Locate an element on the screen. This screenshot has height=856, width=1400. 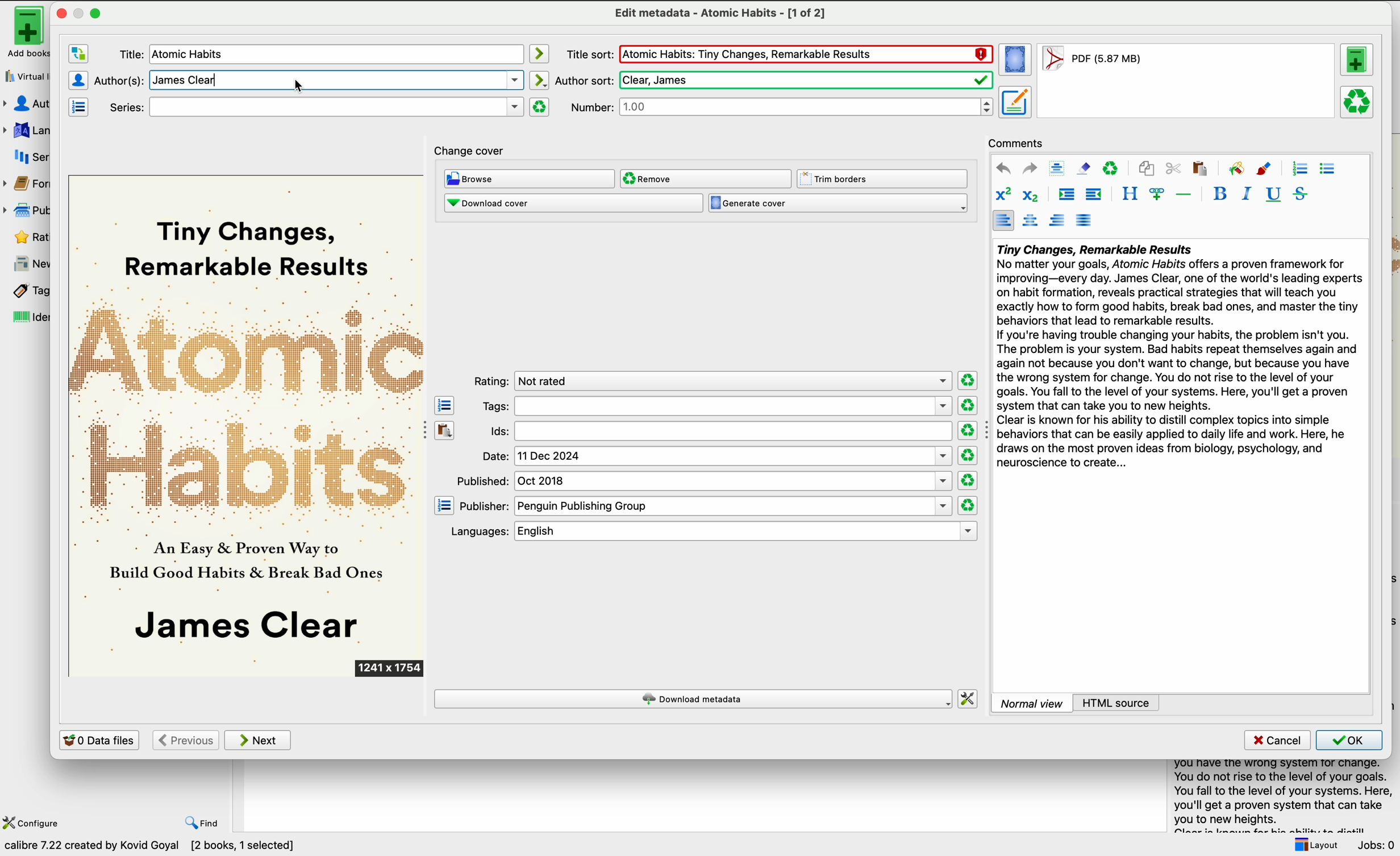
author(s) is located at coordinates (119, 81).